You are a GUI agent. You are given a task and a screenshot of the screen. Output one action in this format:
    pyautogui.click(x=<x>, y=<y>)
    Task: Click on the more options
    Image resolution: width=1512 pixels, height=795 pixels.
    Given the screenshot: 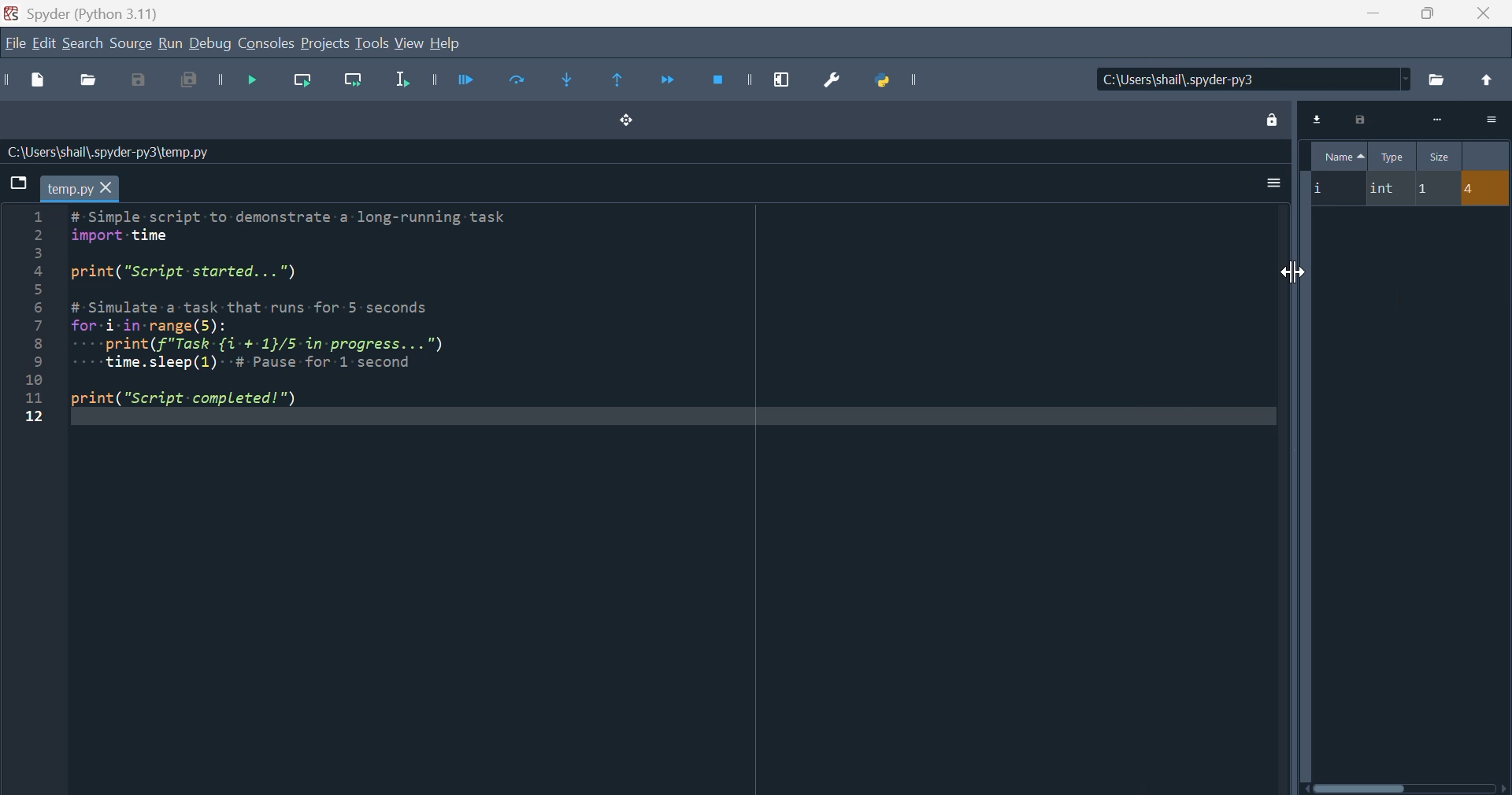 What is the action you would take?
    pyautogui.click(x=1272, y=183)
    